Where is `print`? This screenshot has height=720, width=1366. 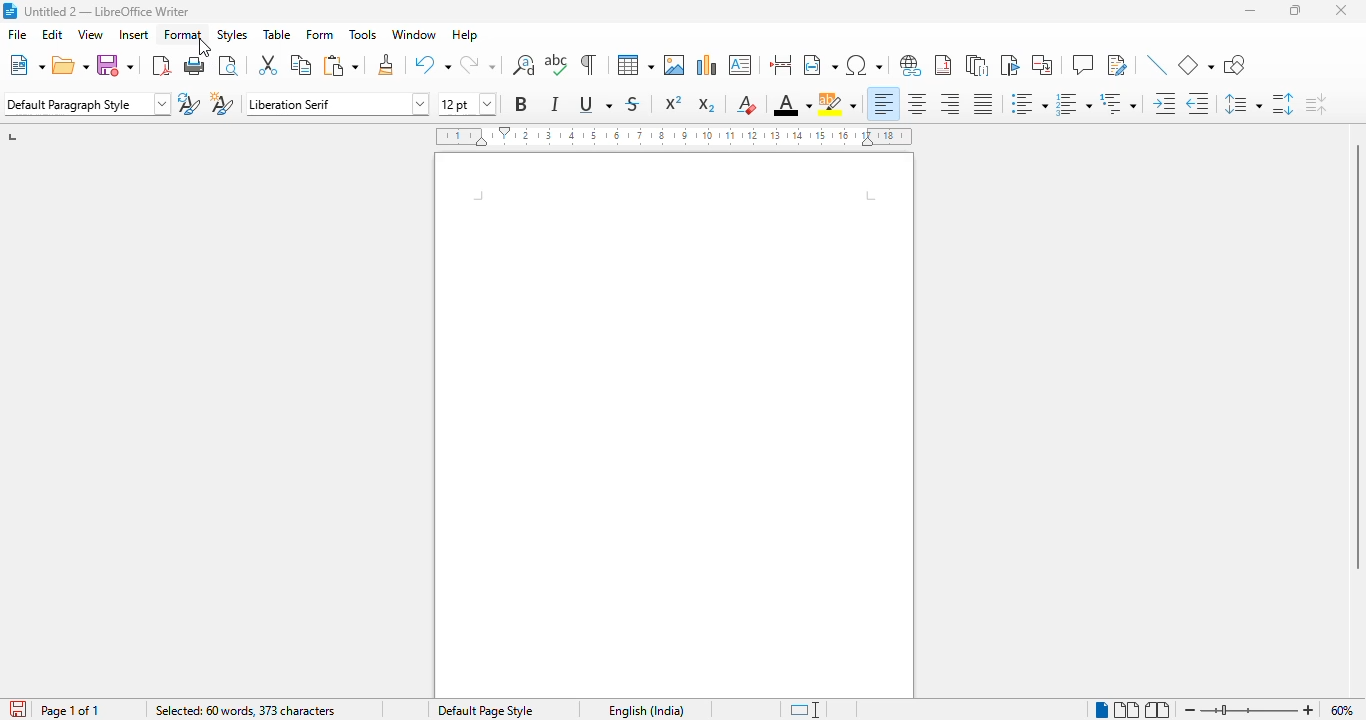 print is located at coordinates (195, 65).